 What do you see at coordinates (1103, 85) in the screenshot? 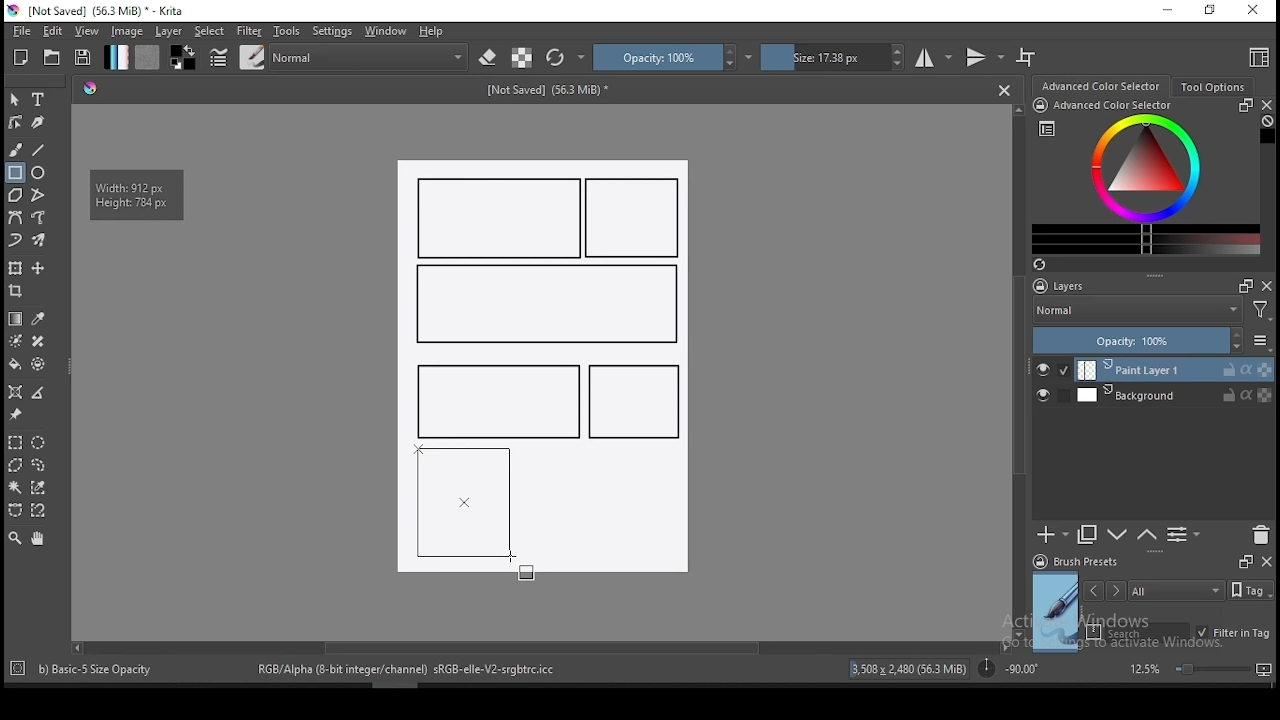
I see `advance color selector` at bounding box center [1103, 85].